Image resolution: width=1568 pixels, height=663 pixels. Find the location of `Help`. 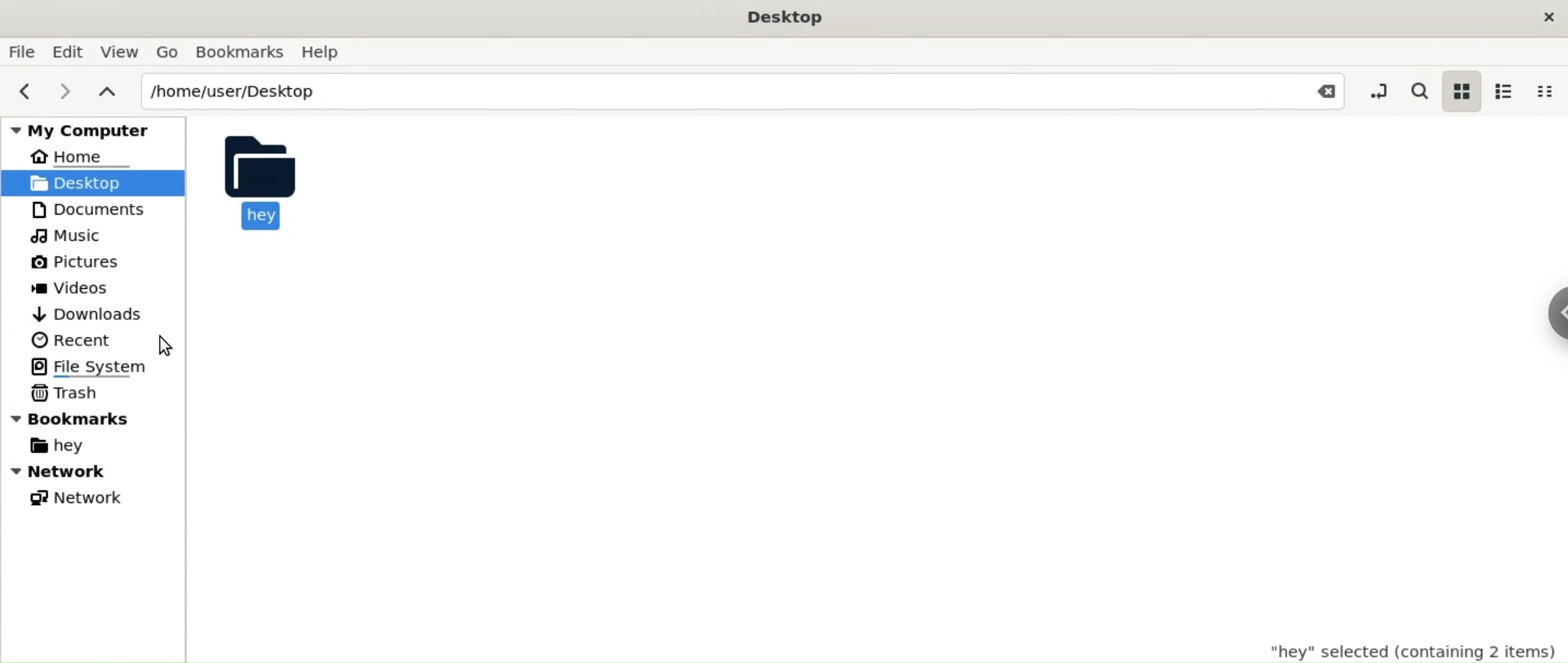

Help is located at coordinates (324, 50).